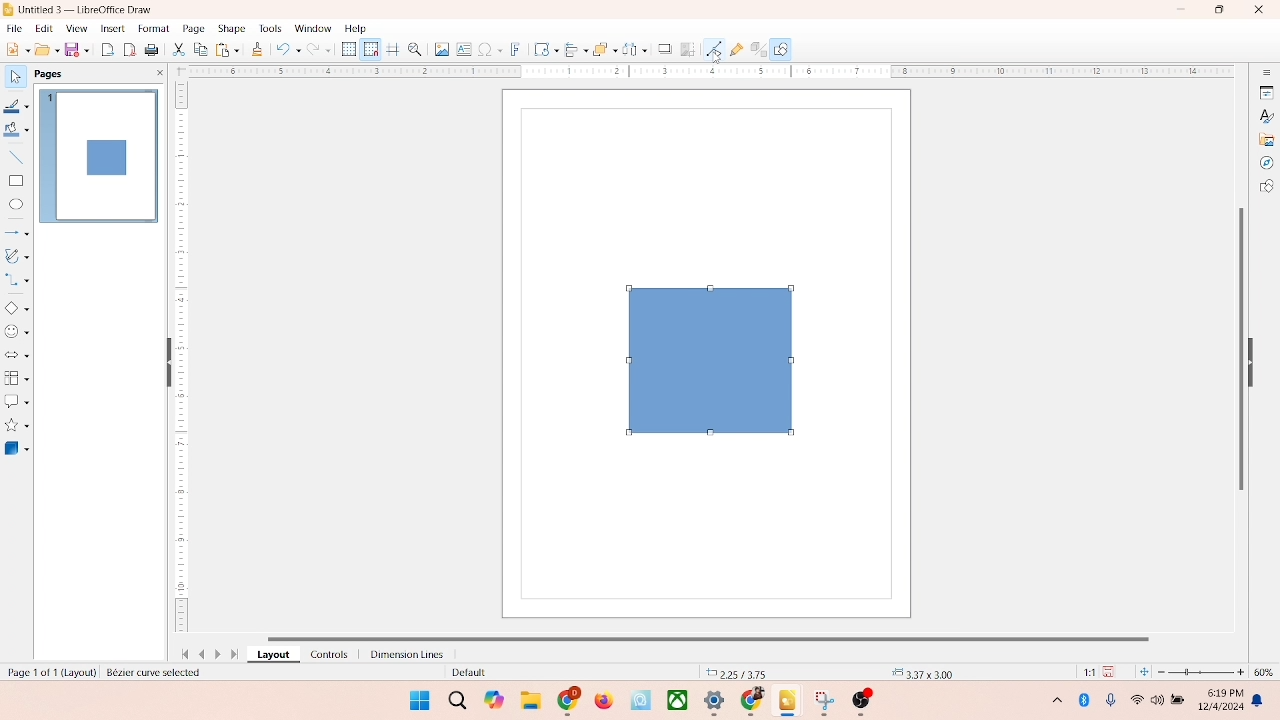 The height and width of the screenshot is (720, 1280). Describe the element at coordinates (439, 49) in the screenshot. I see `image` at that location.